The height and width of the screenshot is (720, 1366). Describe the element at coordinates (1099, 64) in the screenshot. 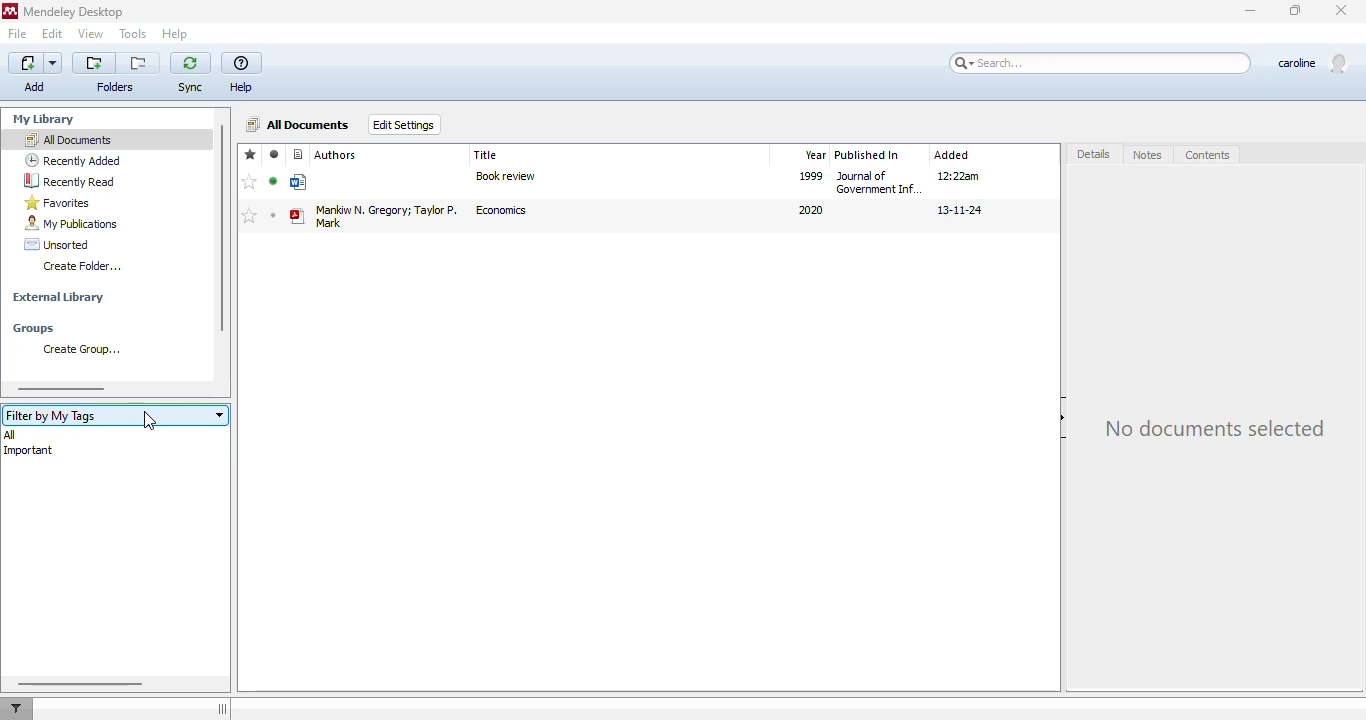

I see `search` at that location.